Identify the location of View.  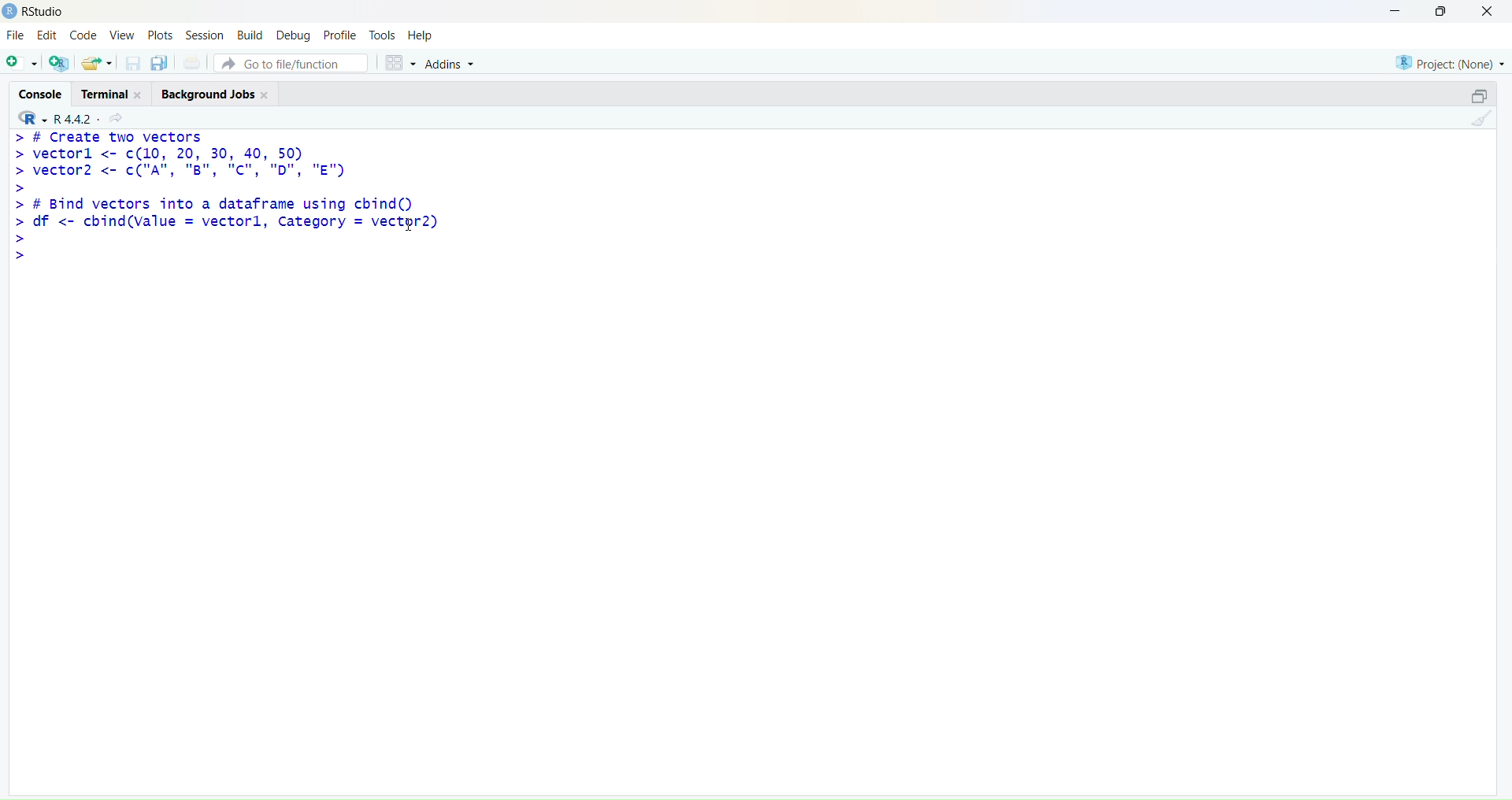
(121, 35).